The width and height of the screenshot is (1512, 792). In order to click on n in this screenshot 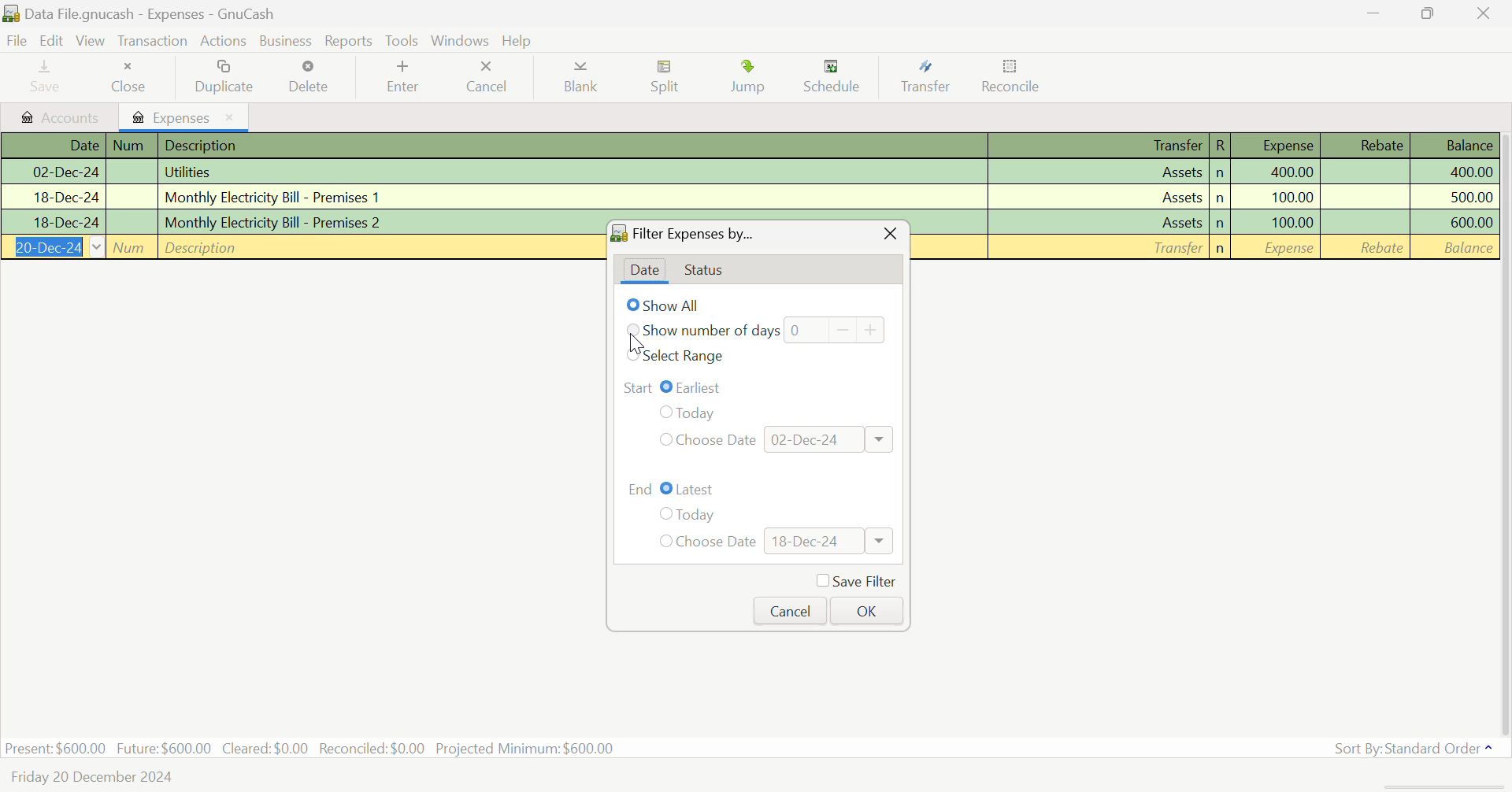, I will do `click(1221, 198)`.